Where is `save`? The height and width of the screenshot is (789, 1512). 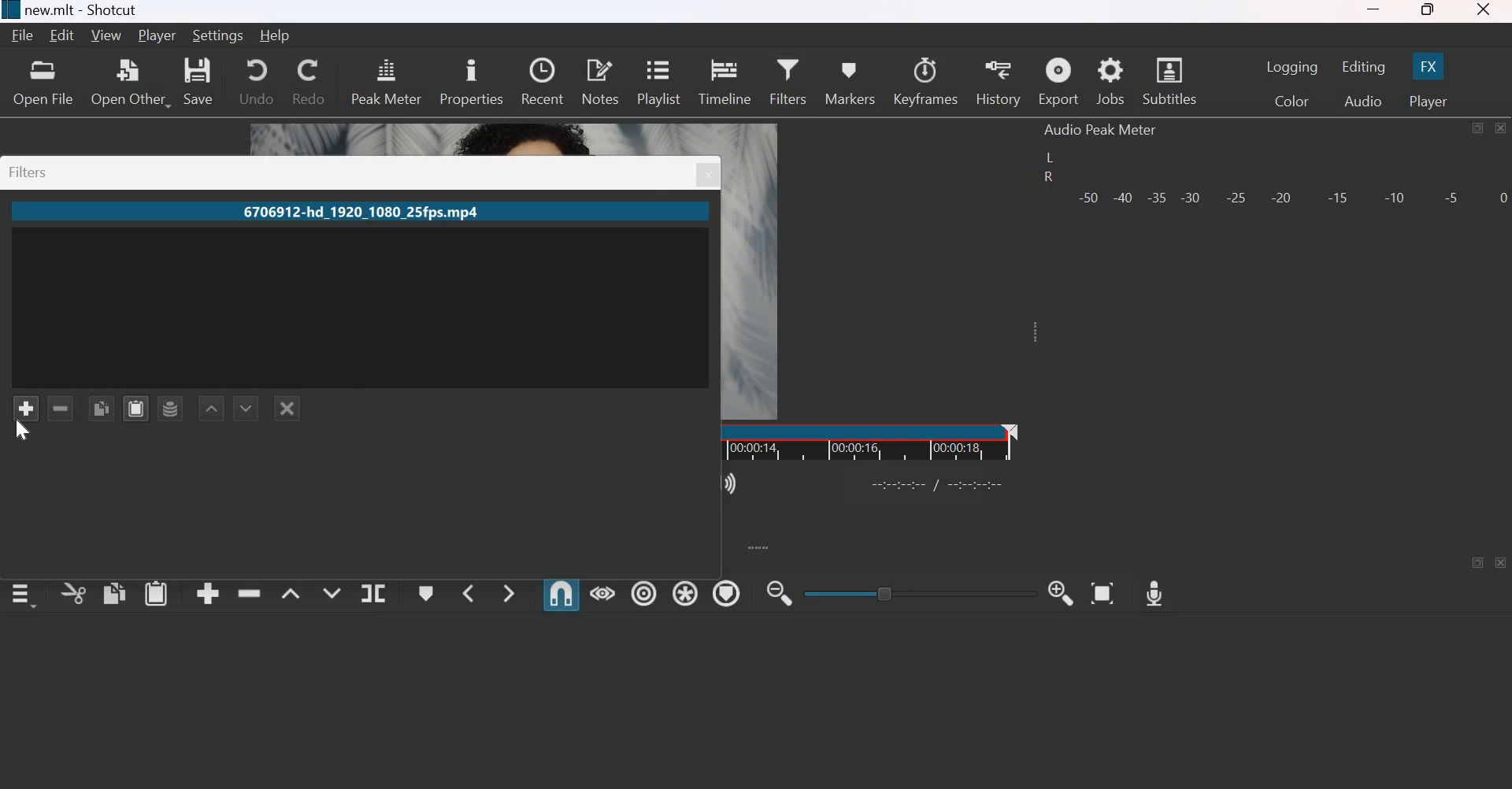 save is located at coordinates (199, 81).